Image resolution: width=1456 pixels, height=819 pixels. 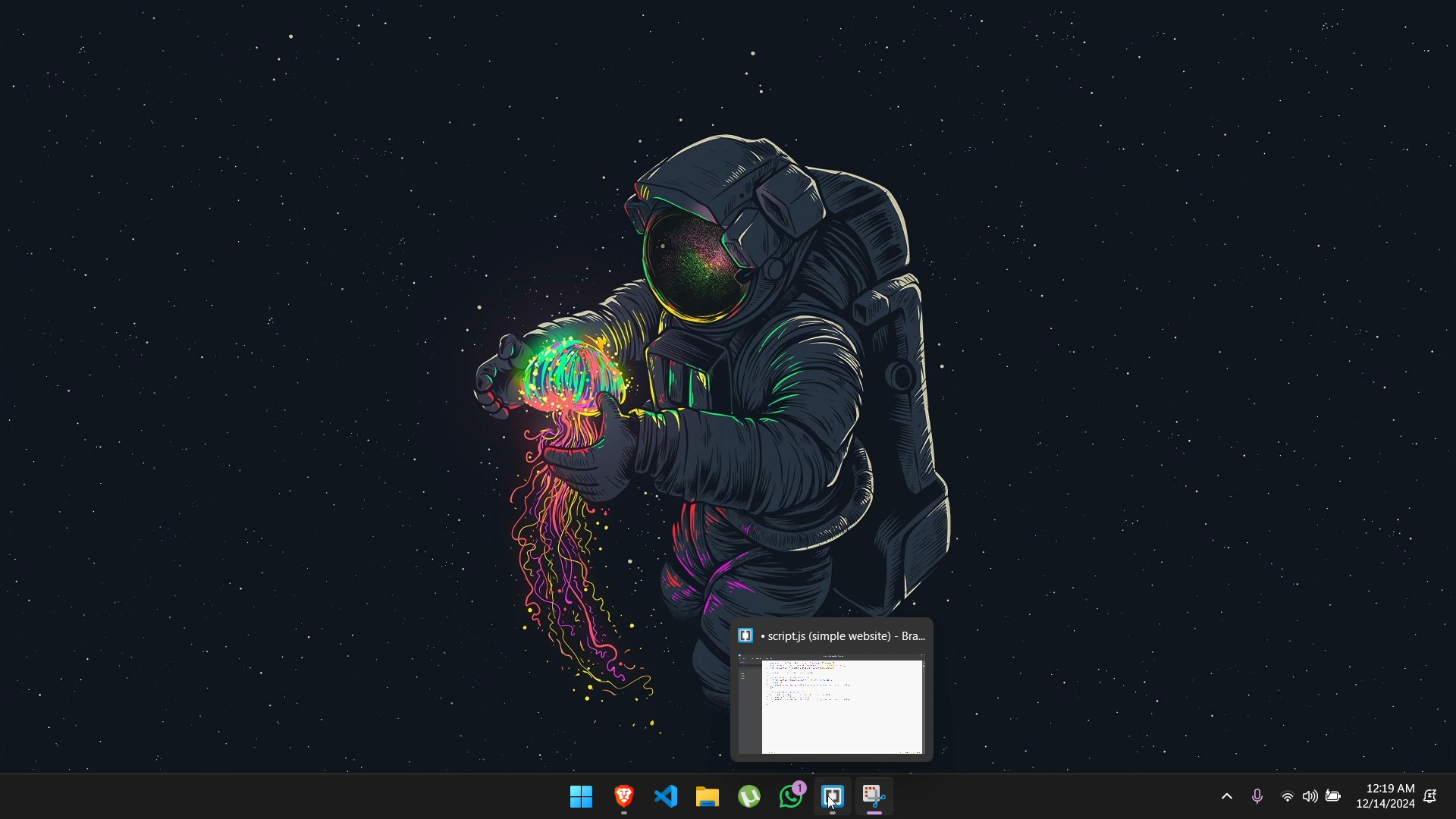 What do you see at coordinates (1335, 798) in the screenshot?
I see `battery` at bounding box center [1335, 798].